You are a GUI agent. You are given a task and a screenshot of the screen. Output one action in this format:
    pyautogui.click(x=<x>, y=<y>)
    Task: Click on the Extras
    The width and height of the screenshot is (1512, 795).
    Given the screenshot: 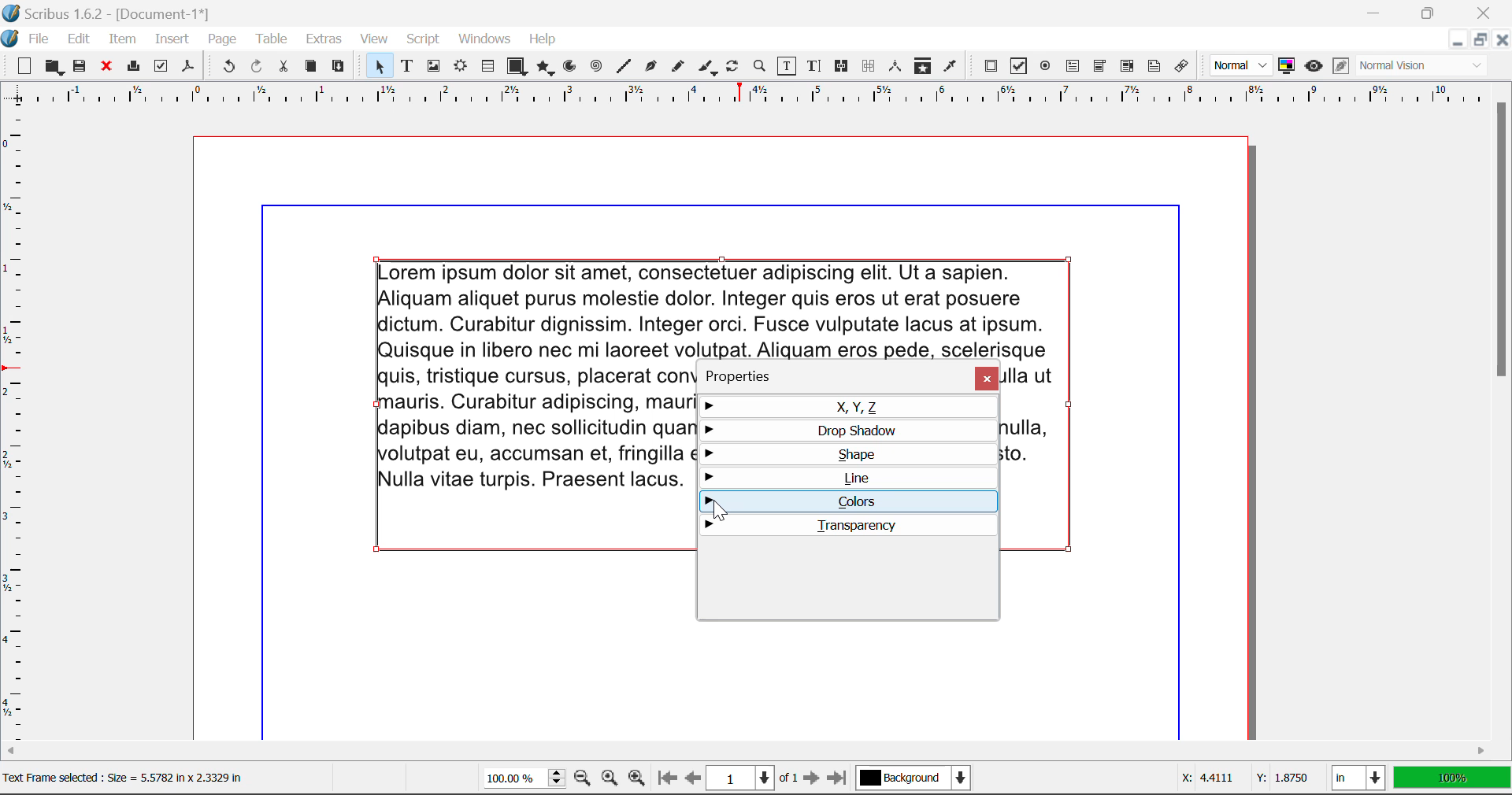 What is the action you would take?
    pyautogui.click(x=326, y=39)
    